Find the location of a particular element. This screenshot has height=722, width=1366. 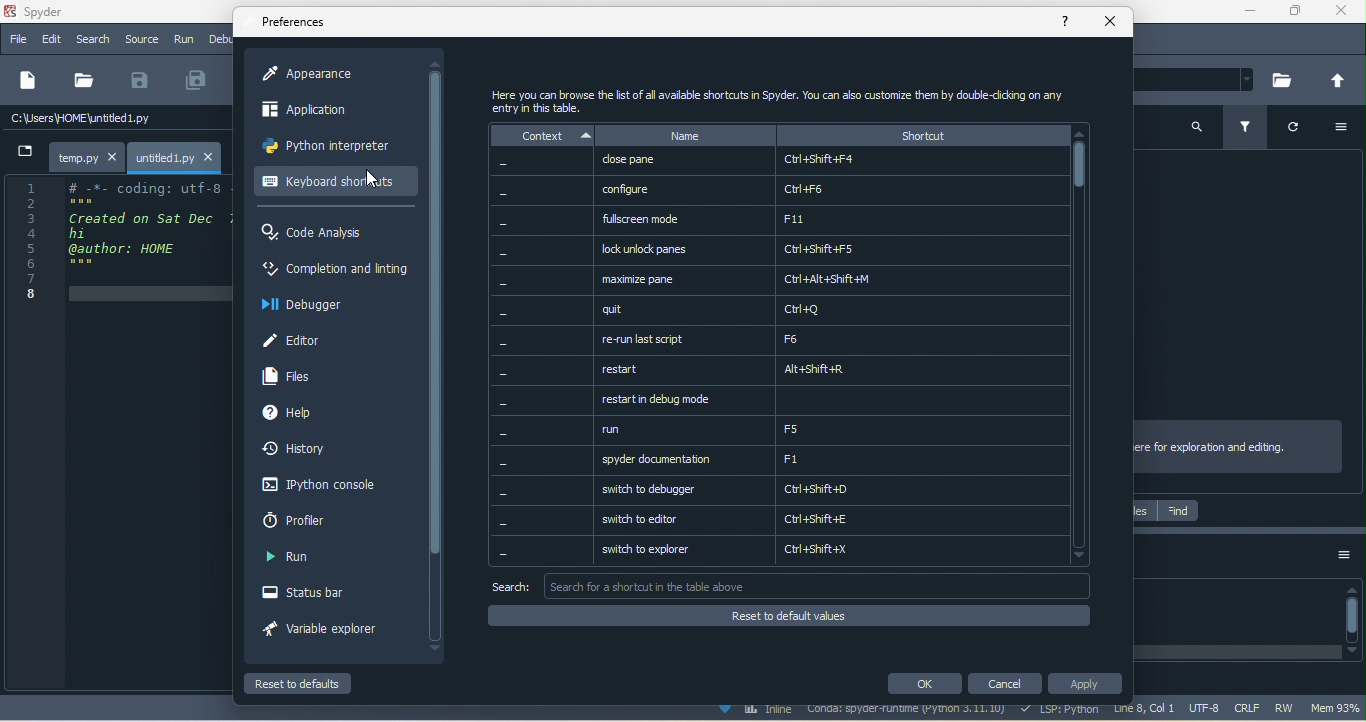

comletion and linting is located at coordinates (334, 271).